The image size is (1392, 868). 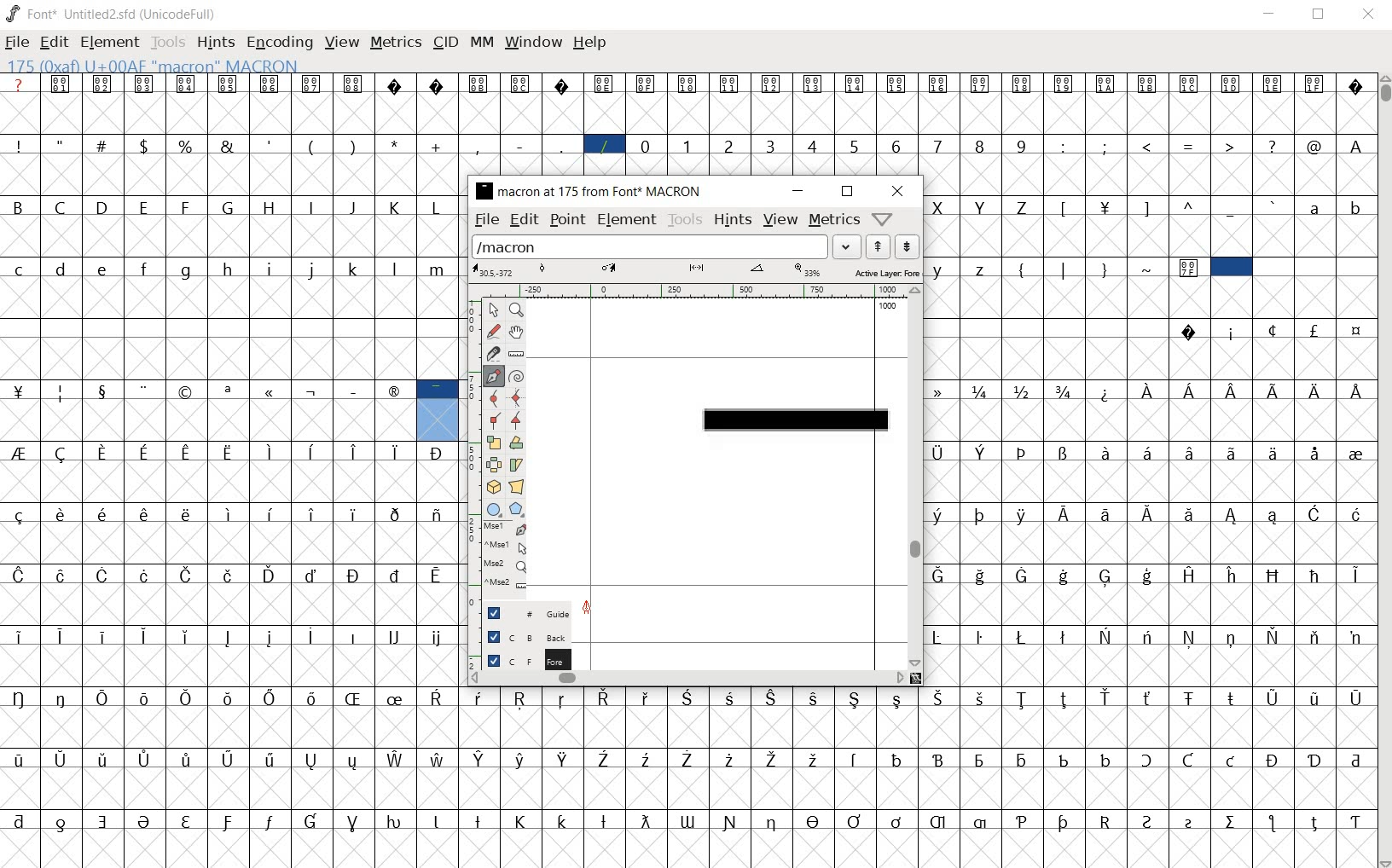 What do you see at coordinates (848, 192) in the screenshot?
I see `maximize` at bounding box center [848, 192].